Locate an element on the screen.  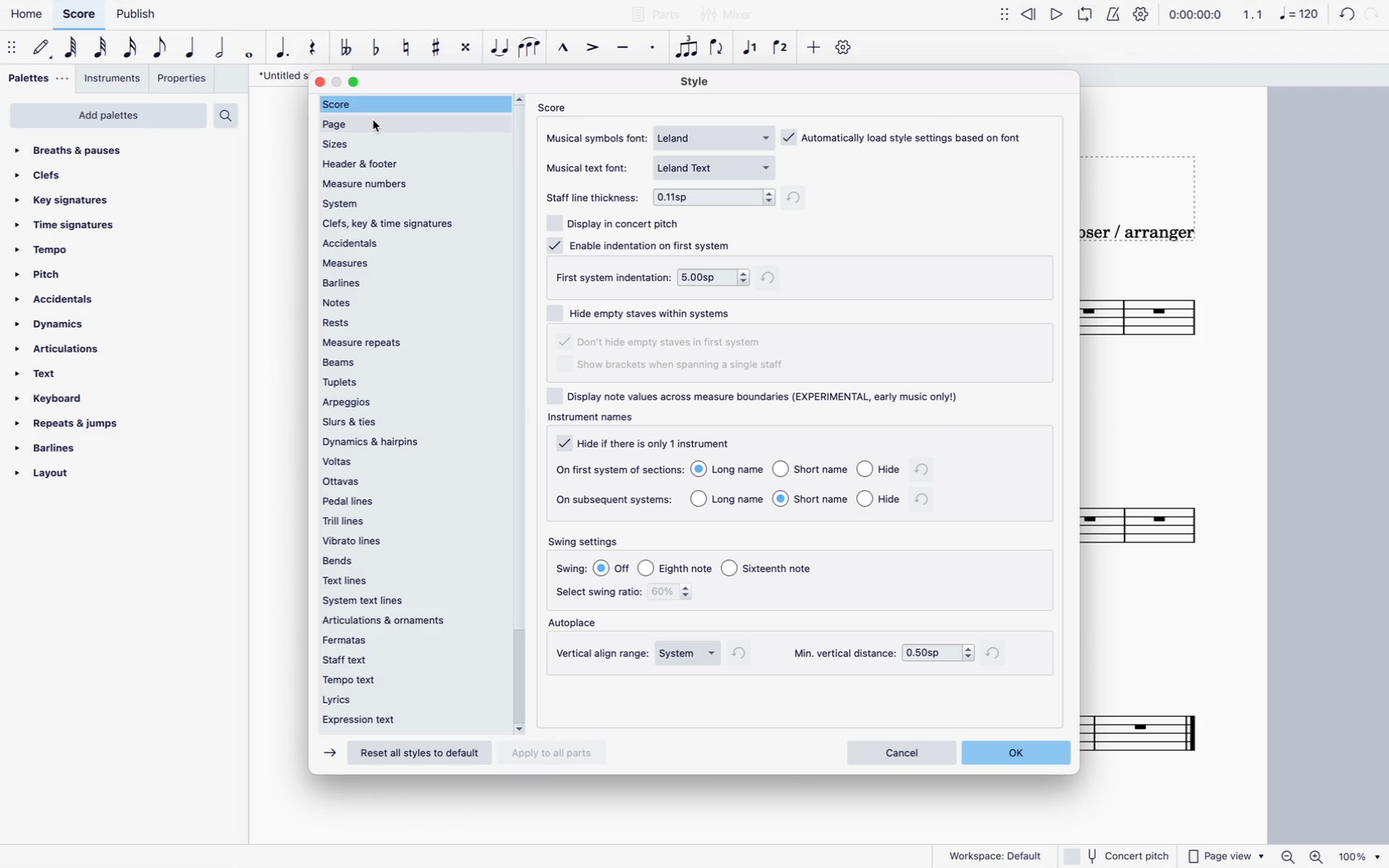
keyboard is located at coordinates (51, 398).